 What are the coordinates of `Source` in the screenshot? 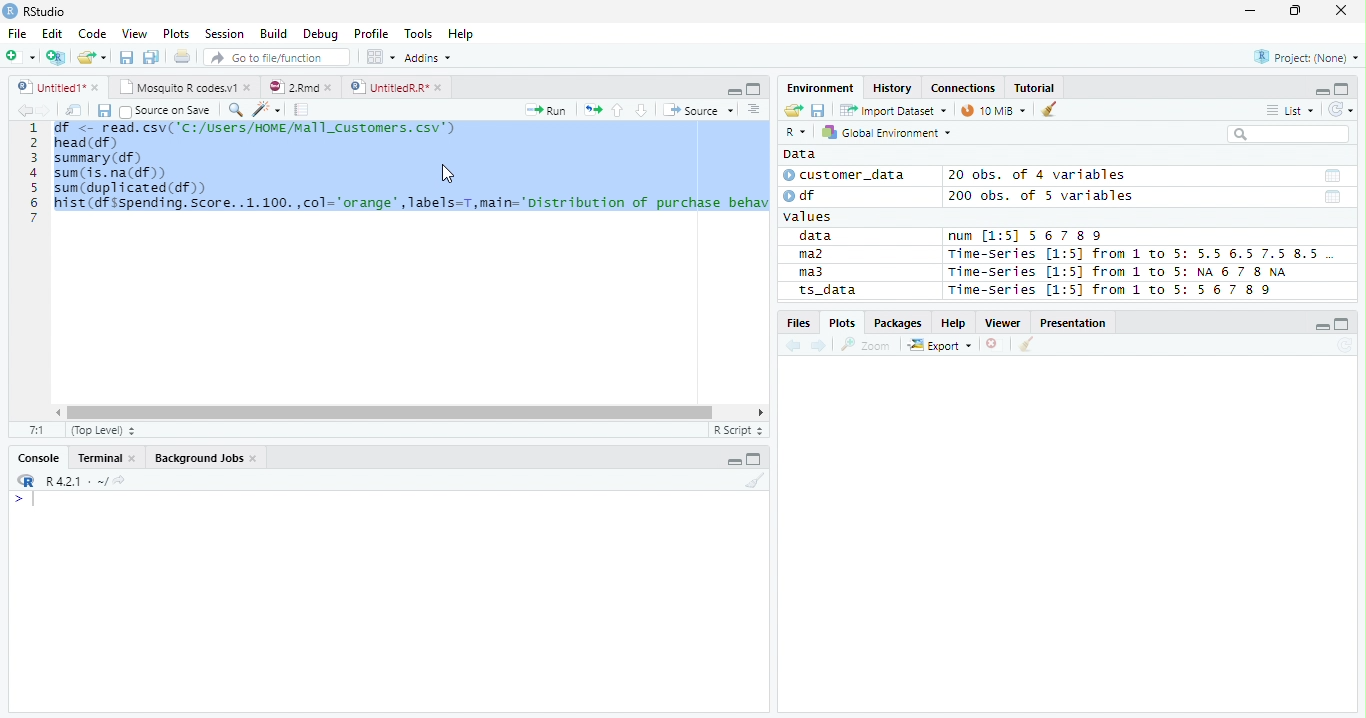 It's located at (696, 110).